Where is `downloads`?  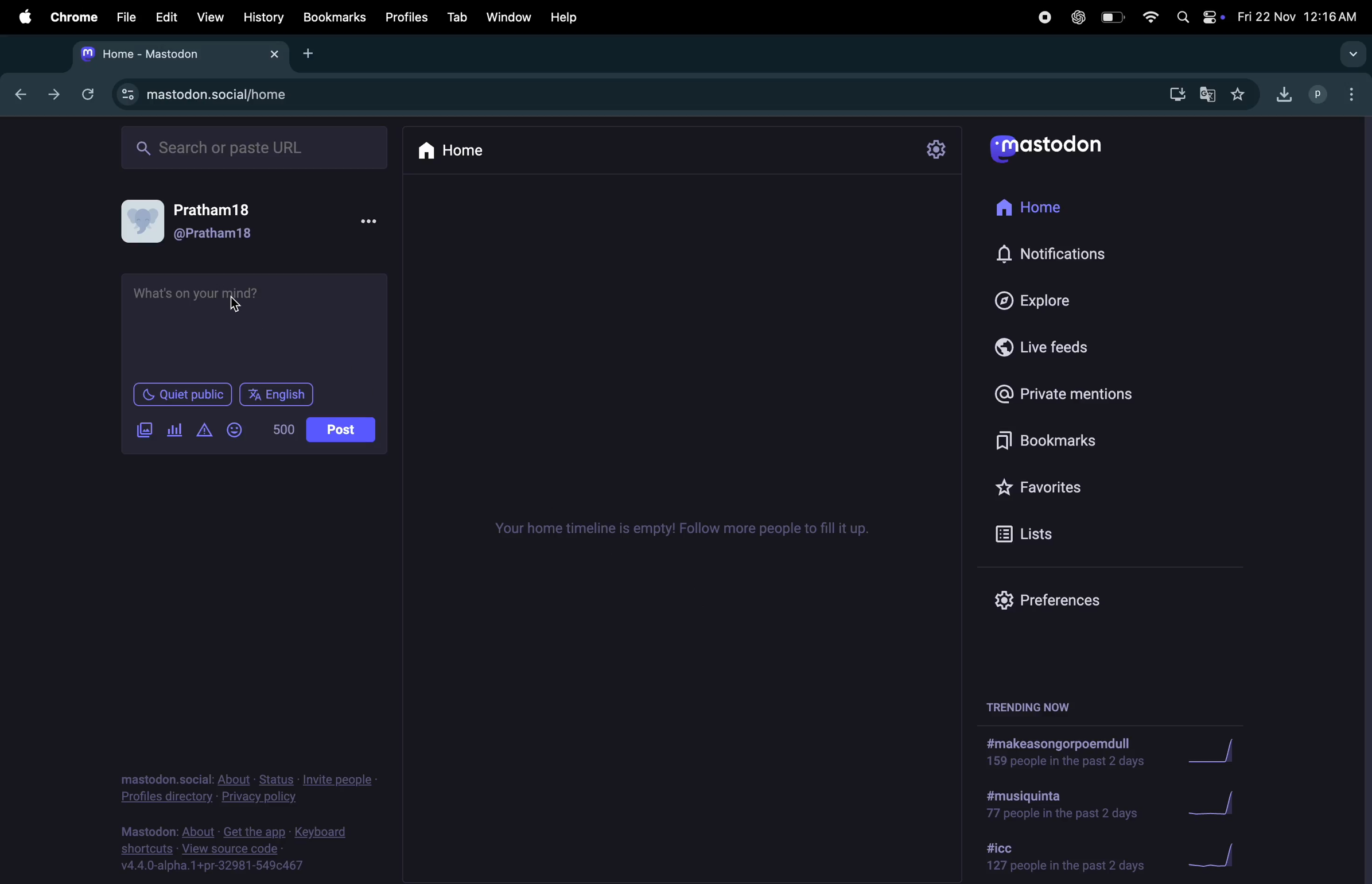 downloads is located at coordinates (1173, 95).